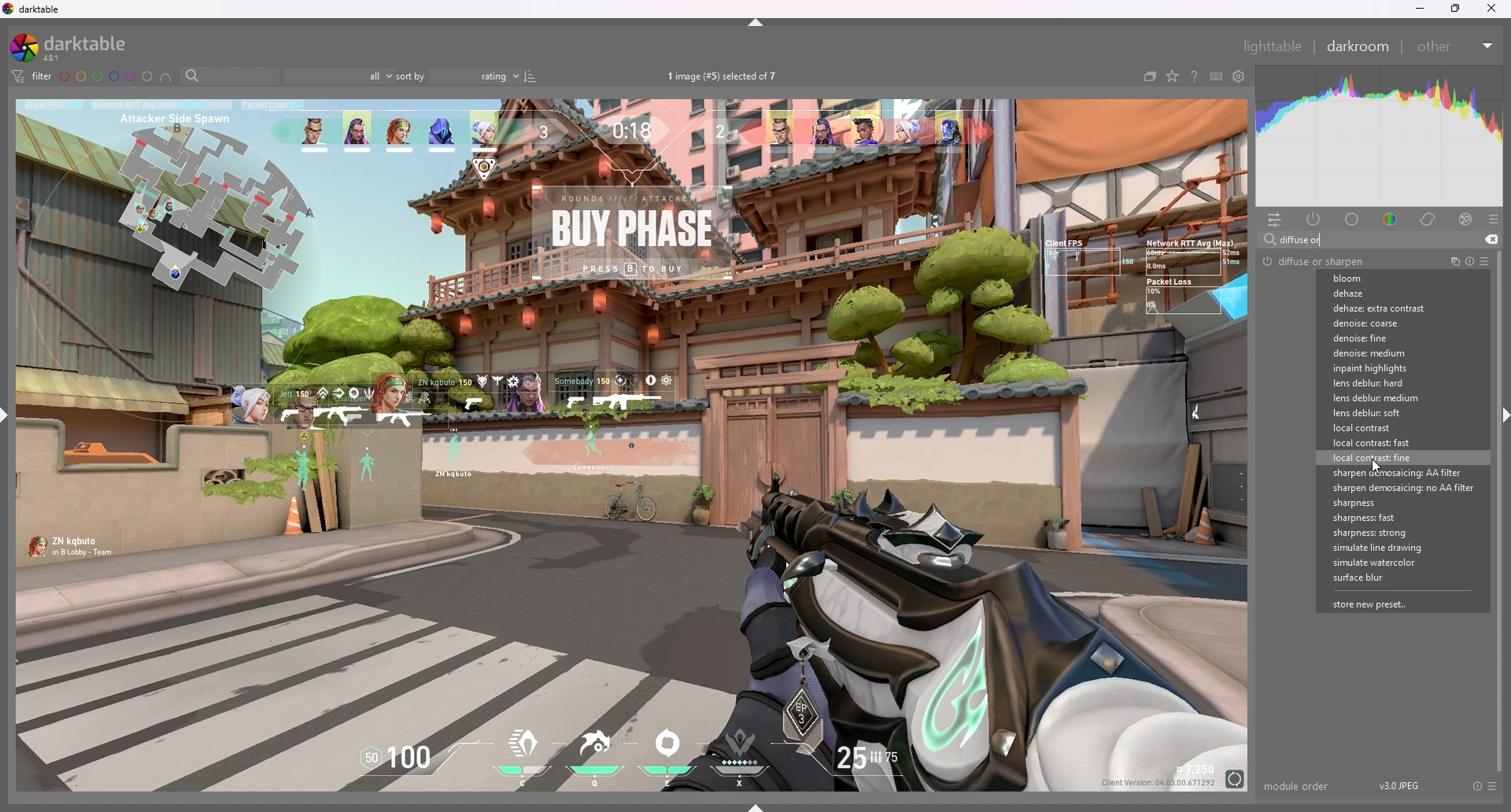  What do you see at coordinates (1381, 519) in the screenshot?
I see `sharpness fast` at bounding box center [1381, 519].